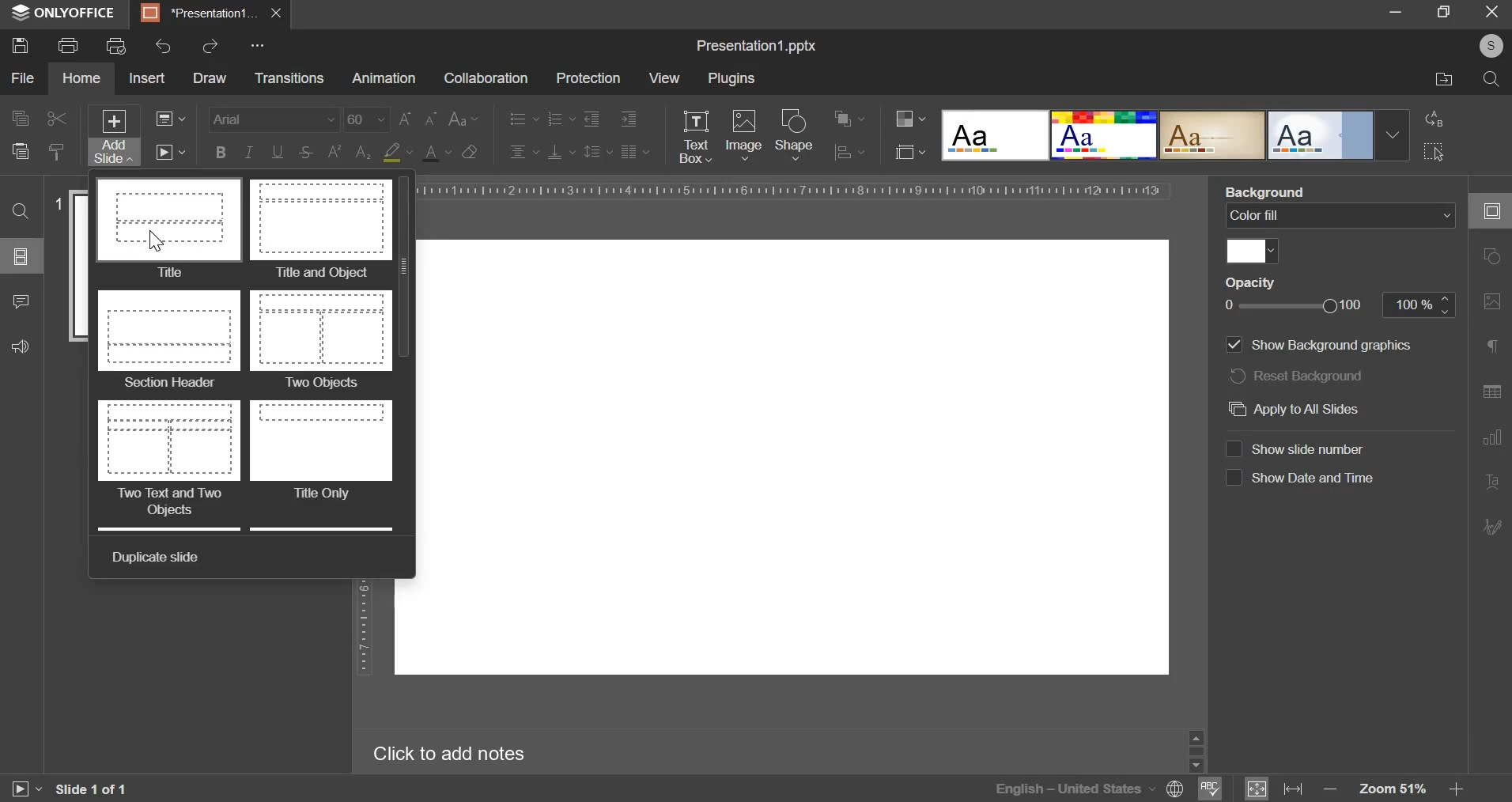 The image size is (1512, 802). I want to click on color design, so click(910, 119).